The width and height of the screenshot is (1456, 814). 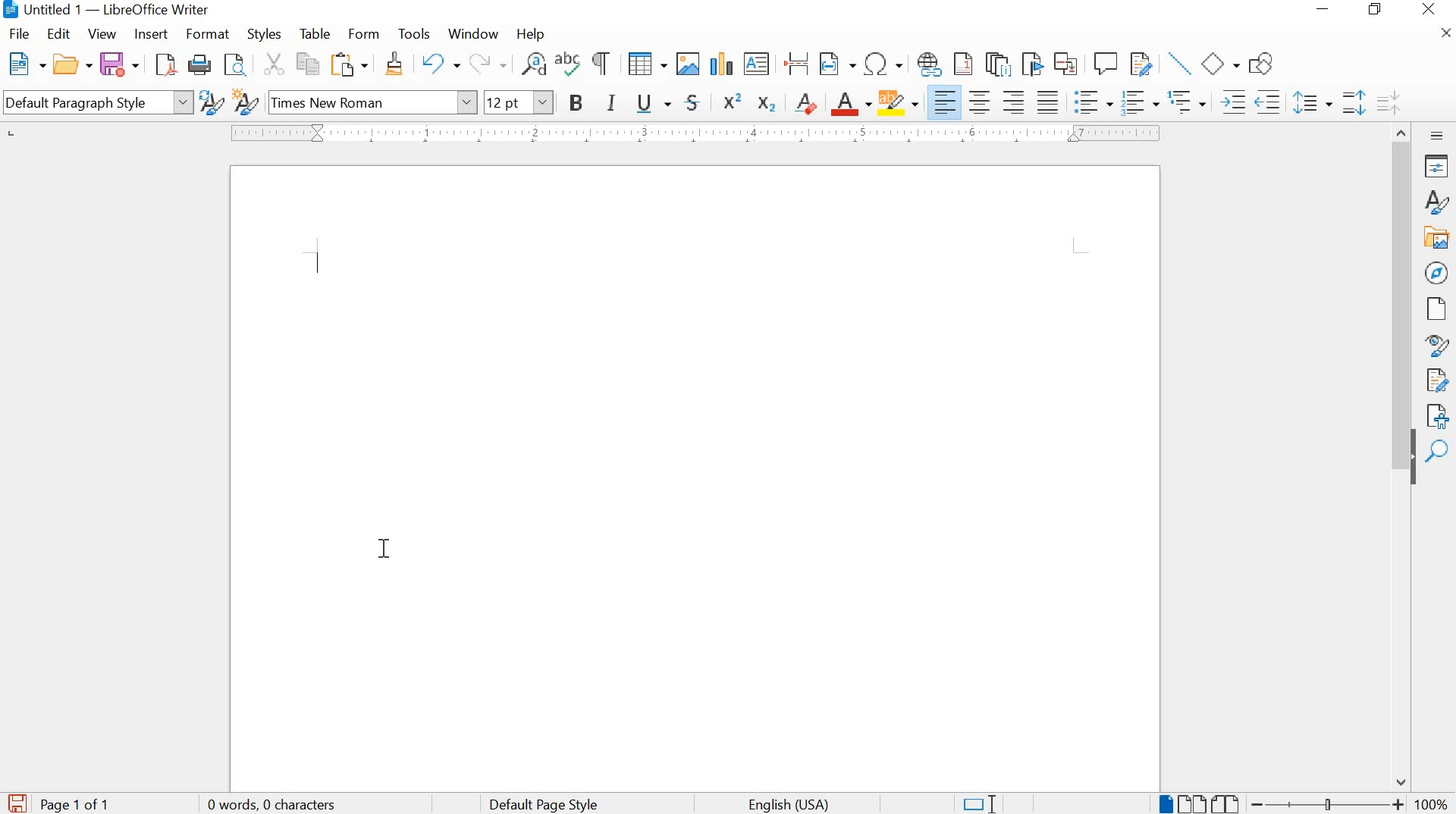 What do you see at coordinates (945, 102) in the screenshot?
I see `ALIGN LEFT` at bounding box center [945, 102].